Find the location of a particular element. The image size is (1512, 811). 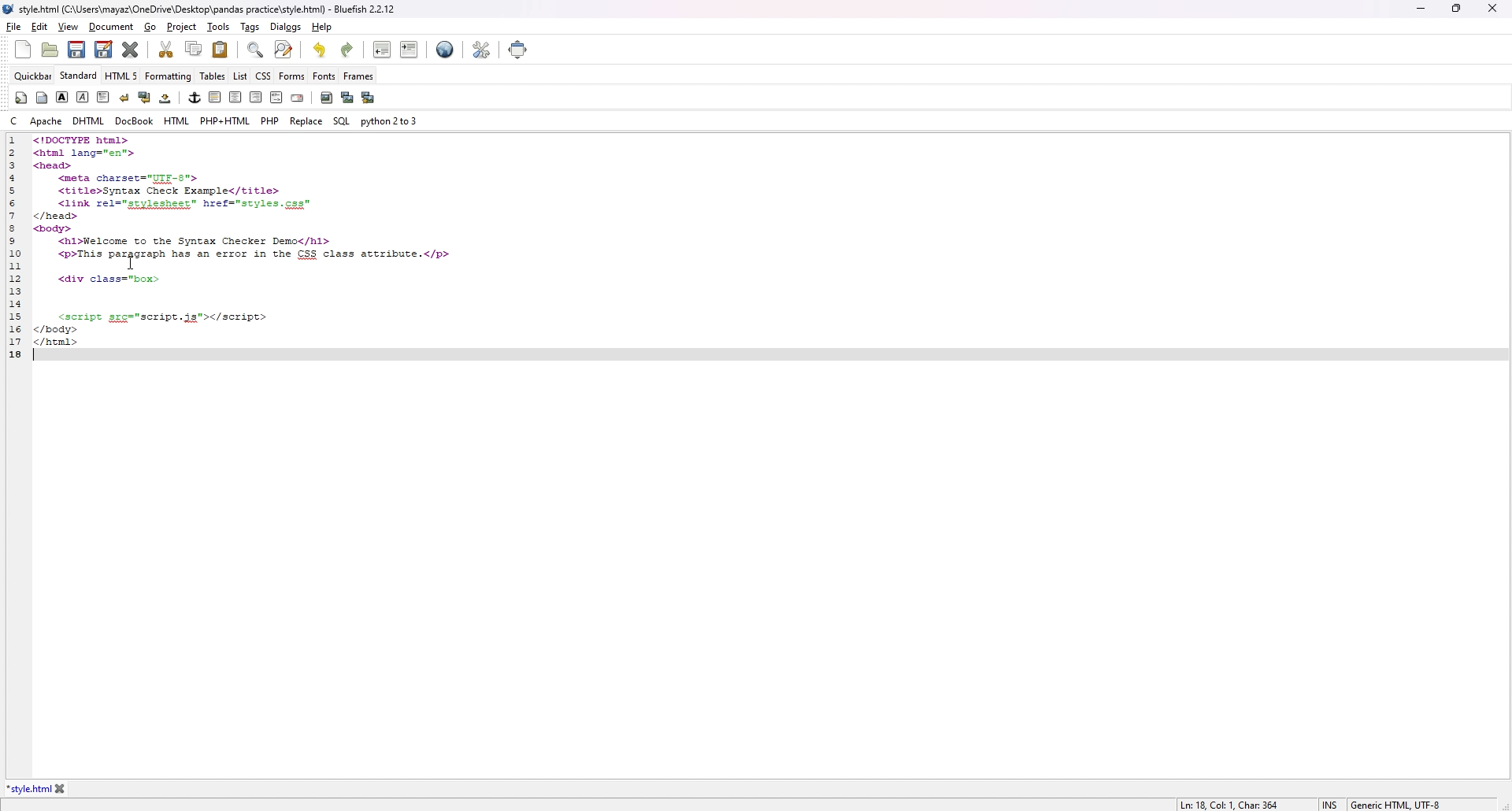

save is located at coordinates (78, 49).